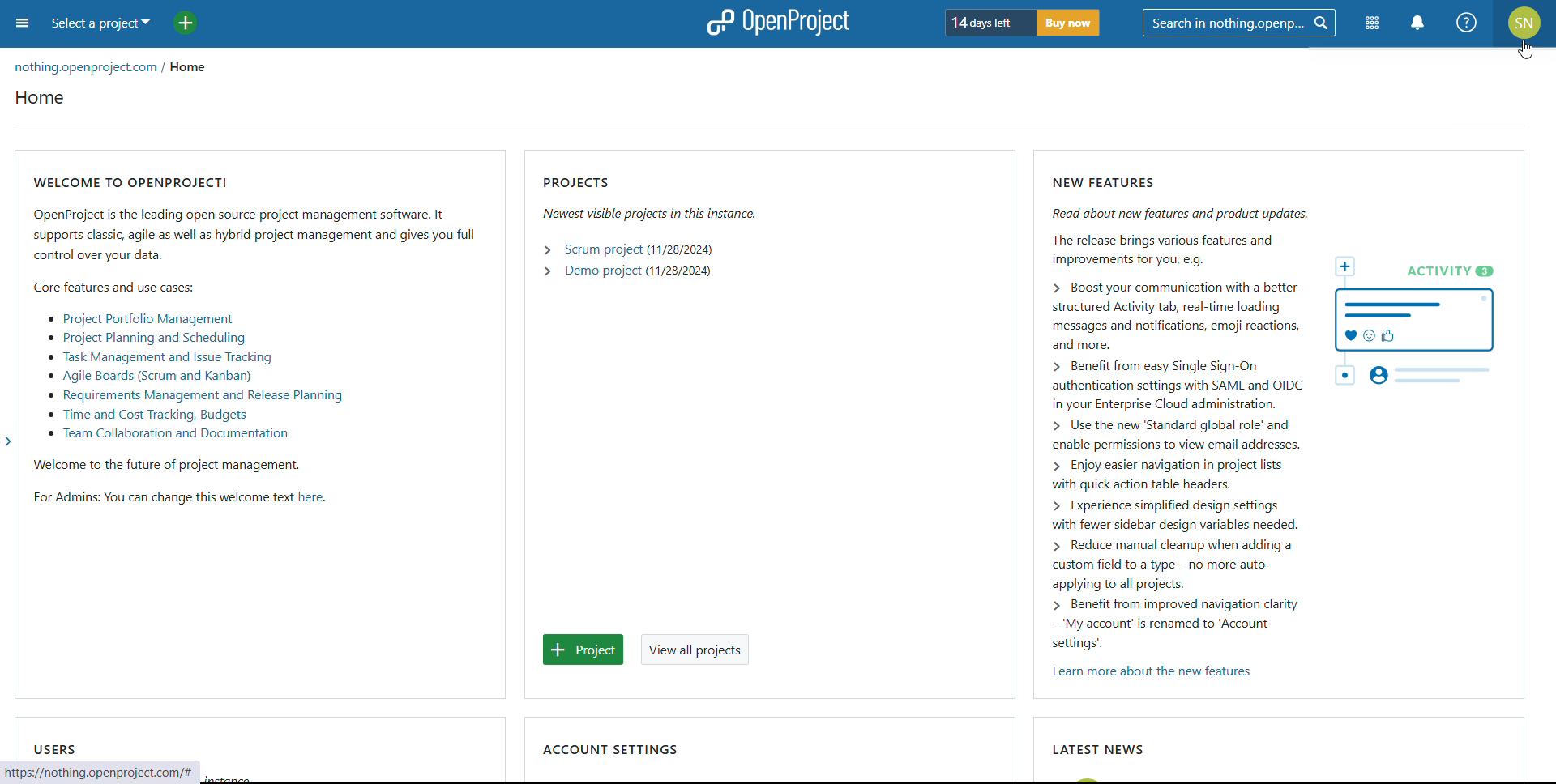  What do you see at coordinates (648, 213) in the screenshot?
I see `Newest visible projects in this instance.` at bounding box center [648, 213].